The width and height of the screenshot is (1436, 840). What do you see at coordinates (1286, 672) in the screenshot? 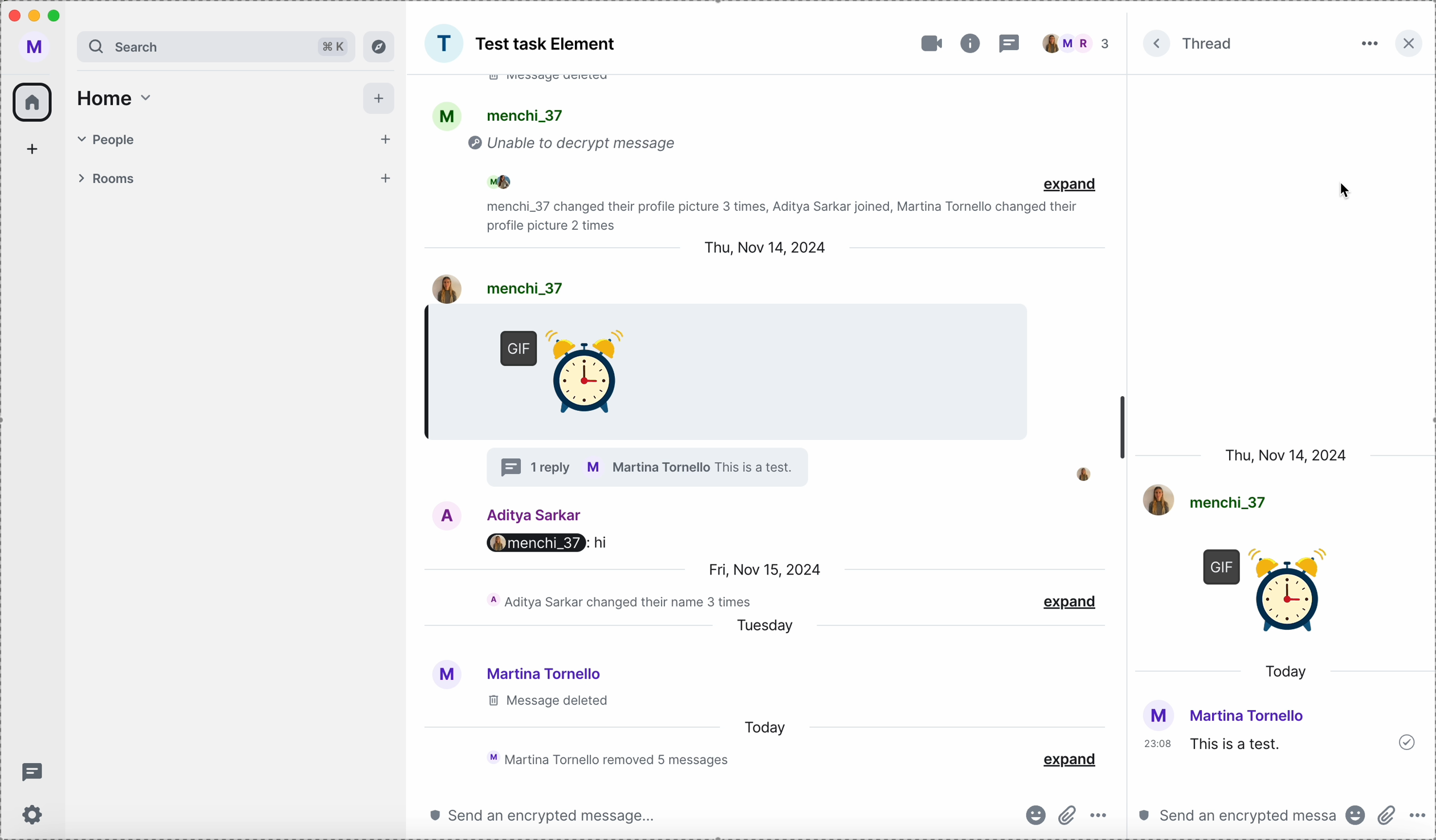
I see `today` at bounding box center [1286, 672].